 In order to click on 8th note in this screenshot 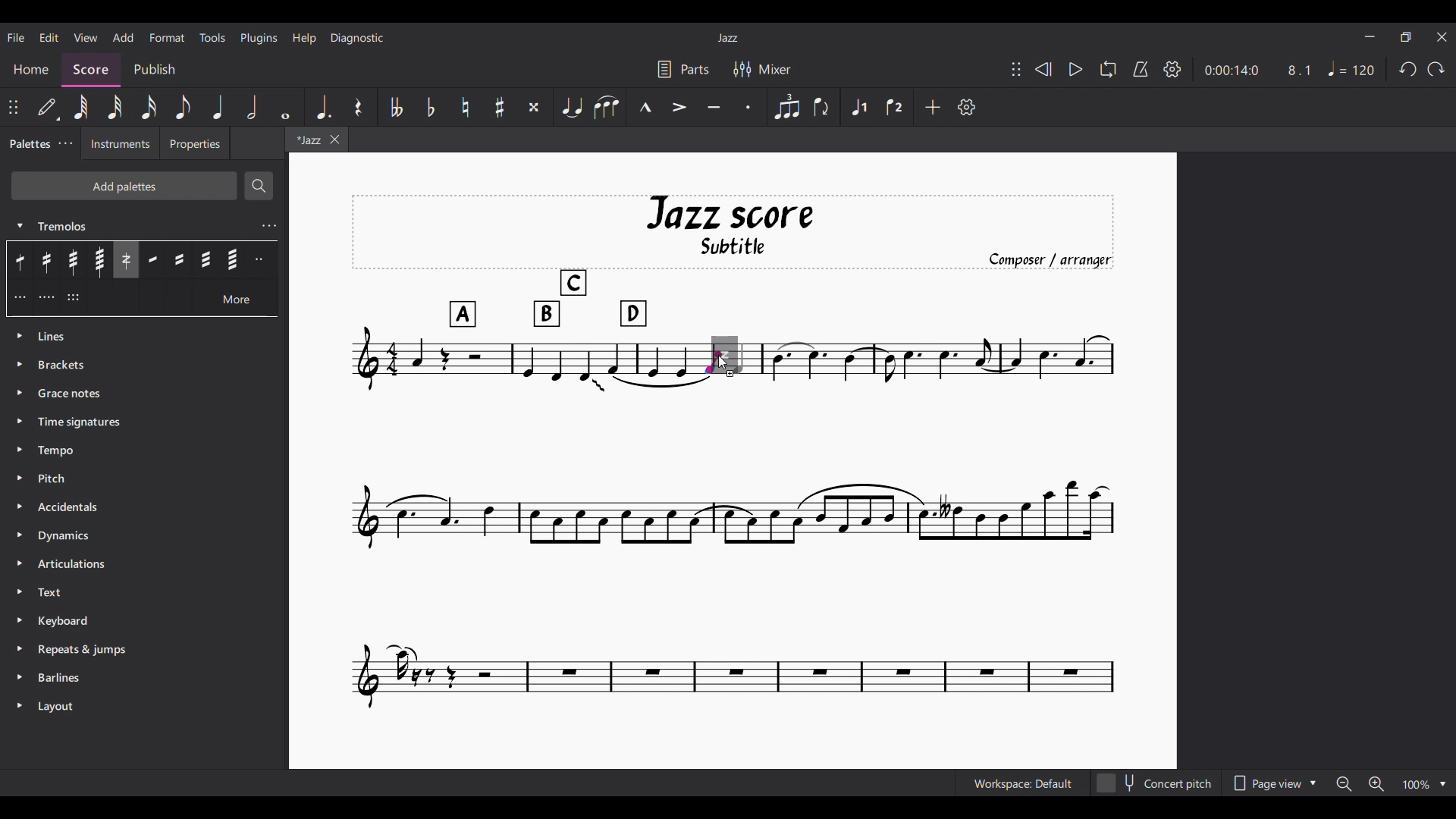, I will do `click(183, 106)`.